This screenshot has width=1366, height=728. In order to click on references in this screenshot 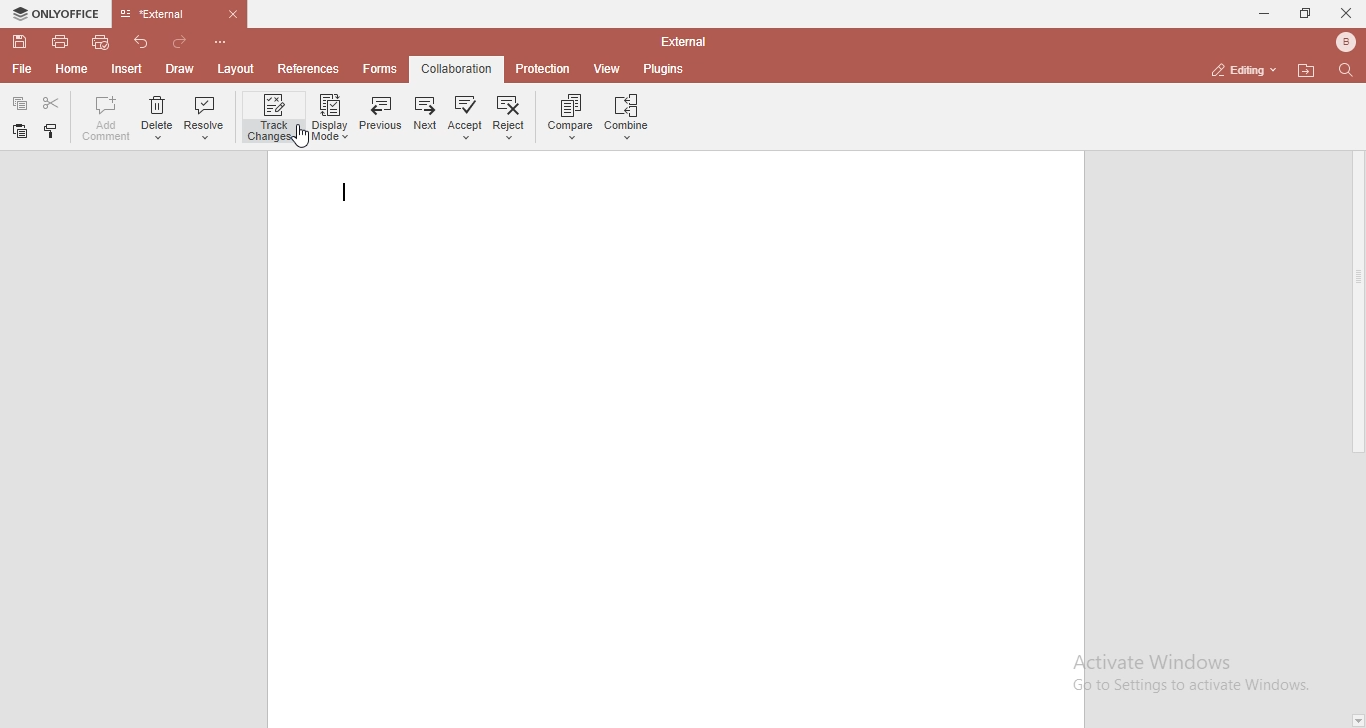, I will do `click(311, 68)`.